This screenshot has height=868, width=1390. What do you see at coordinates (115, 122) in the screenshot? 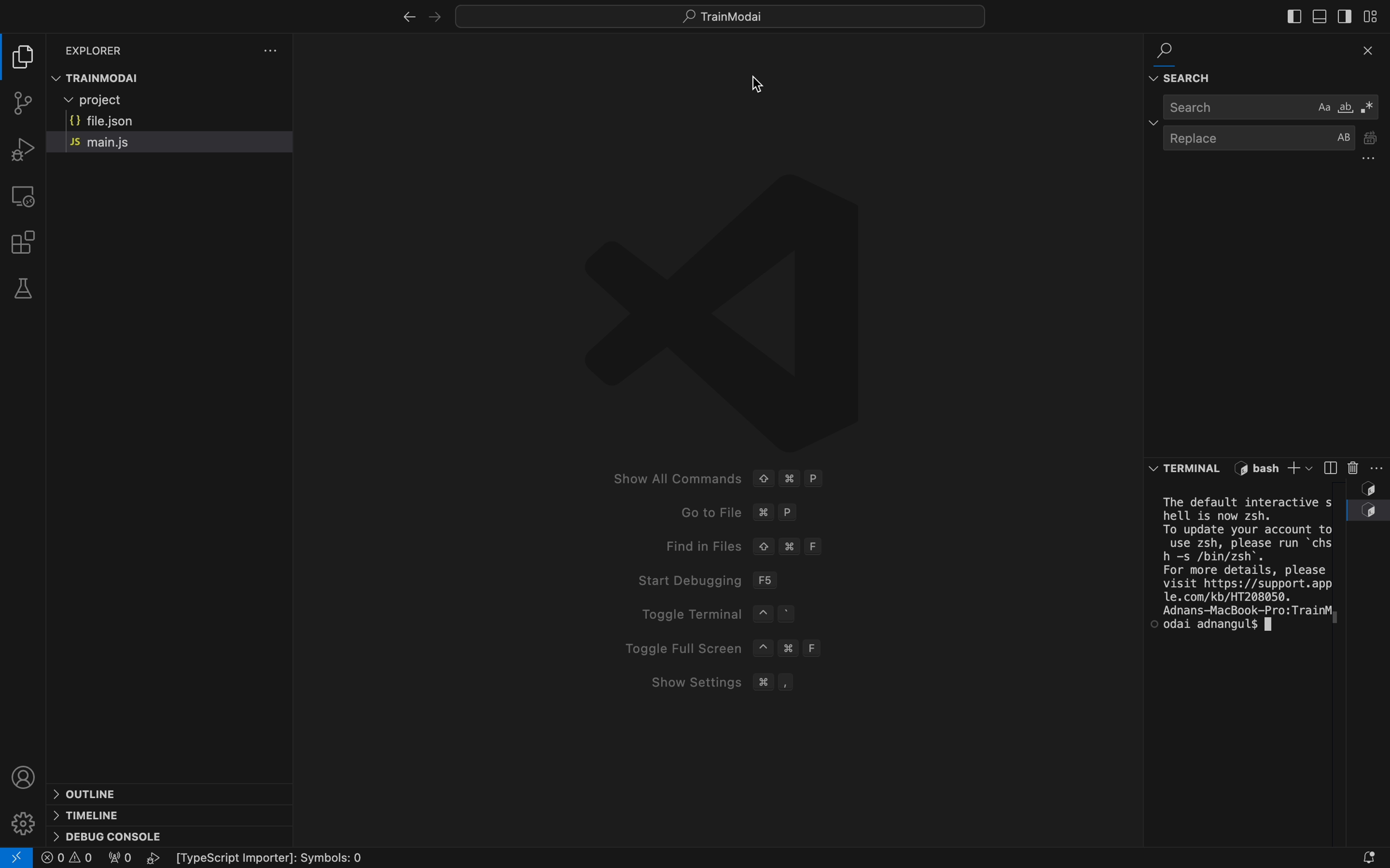
I see `file json` at bounding box center [115, 122].